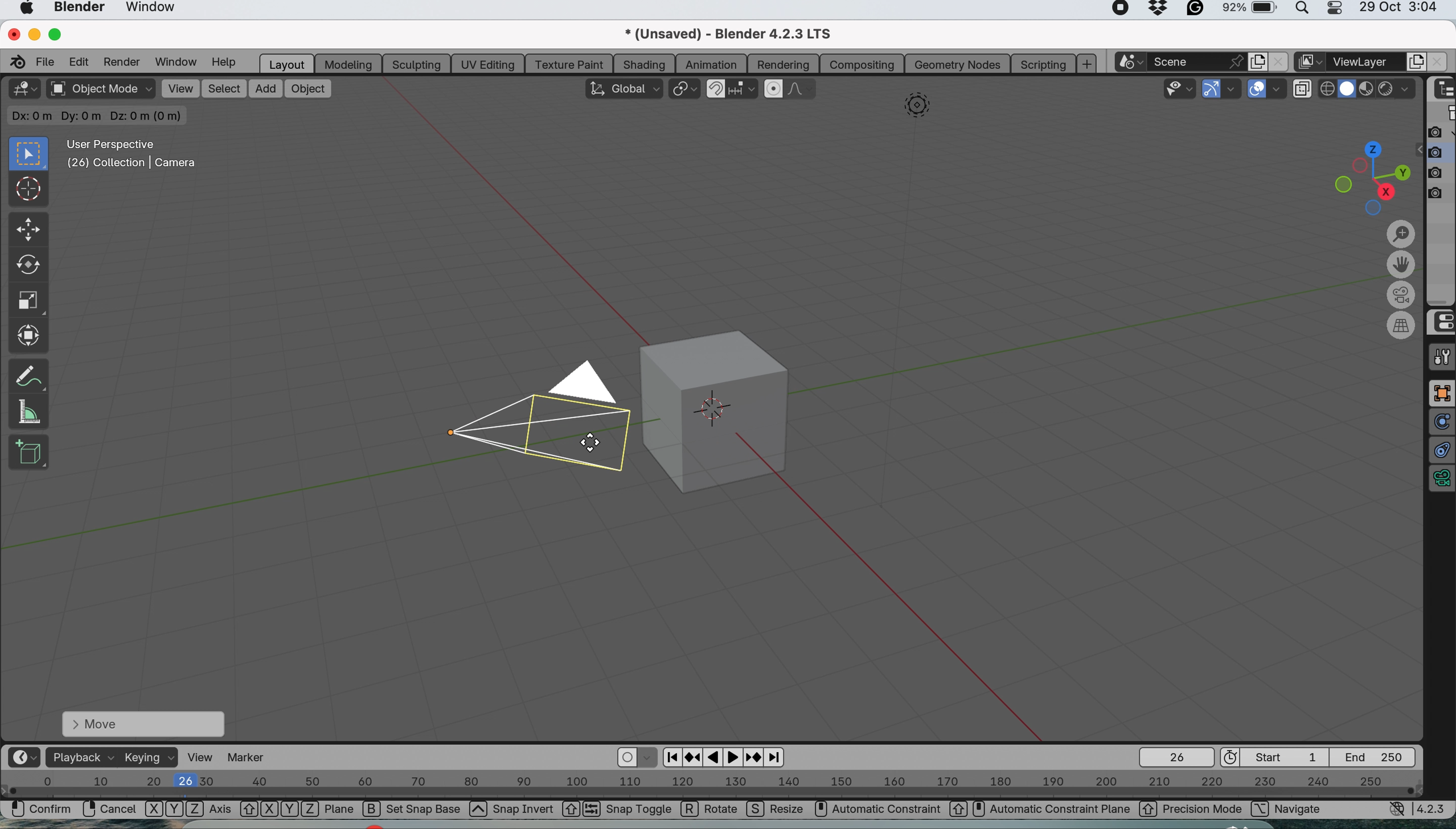  Describe the element at coordinates (28, 411) in the screenshot. I see `measure` at that location.